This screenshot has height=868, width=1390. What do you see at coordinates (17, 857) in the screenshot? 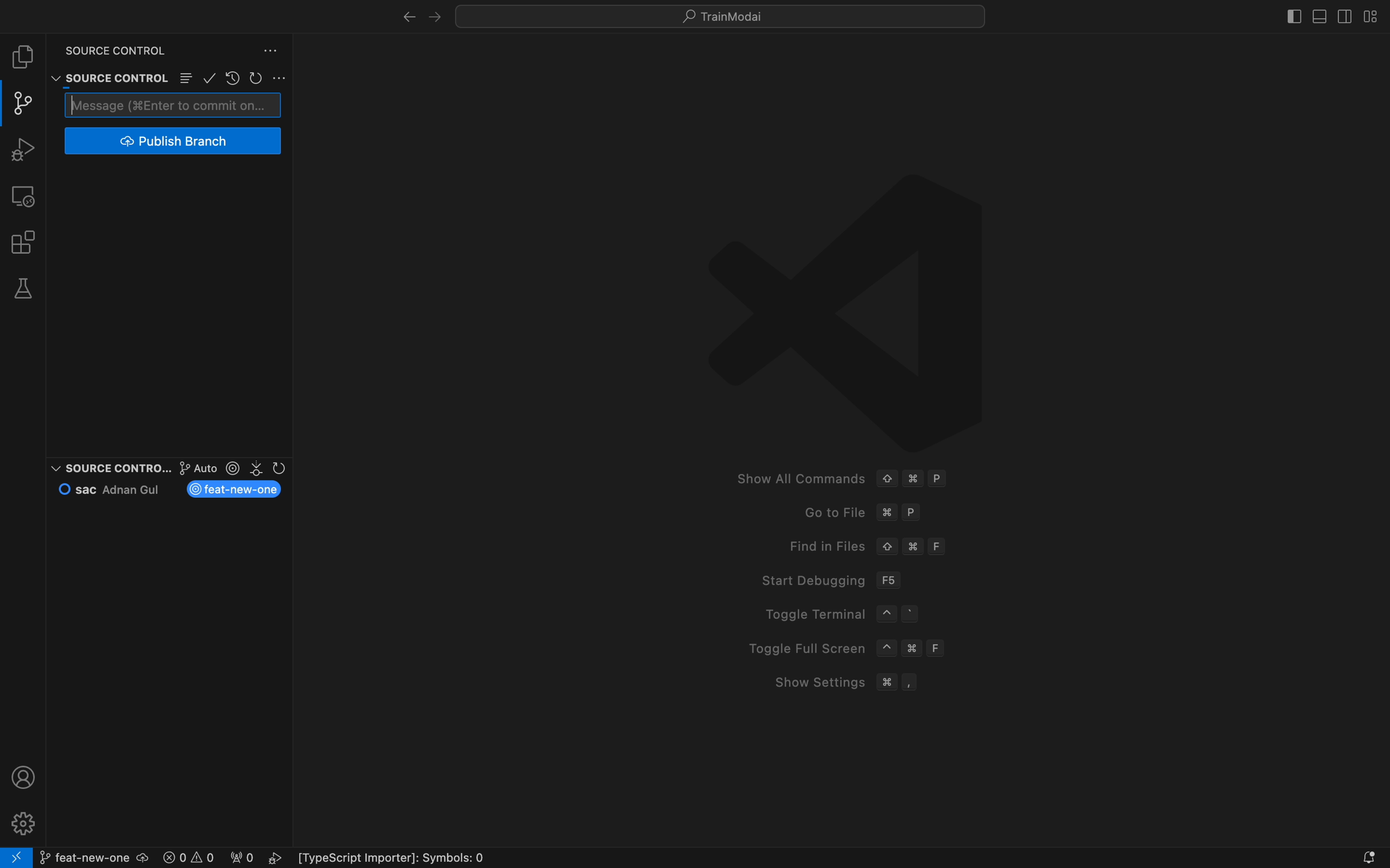
I see `remote open` at bounding box center [17, 857].